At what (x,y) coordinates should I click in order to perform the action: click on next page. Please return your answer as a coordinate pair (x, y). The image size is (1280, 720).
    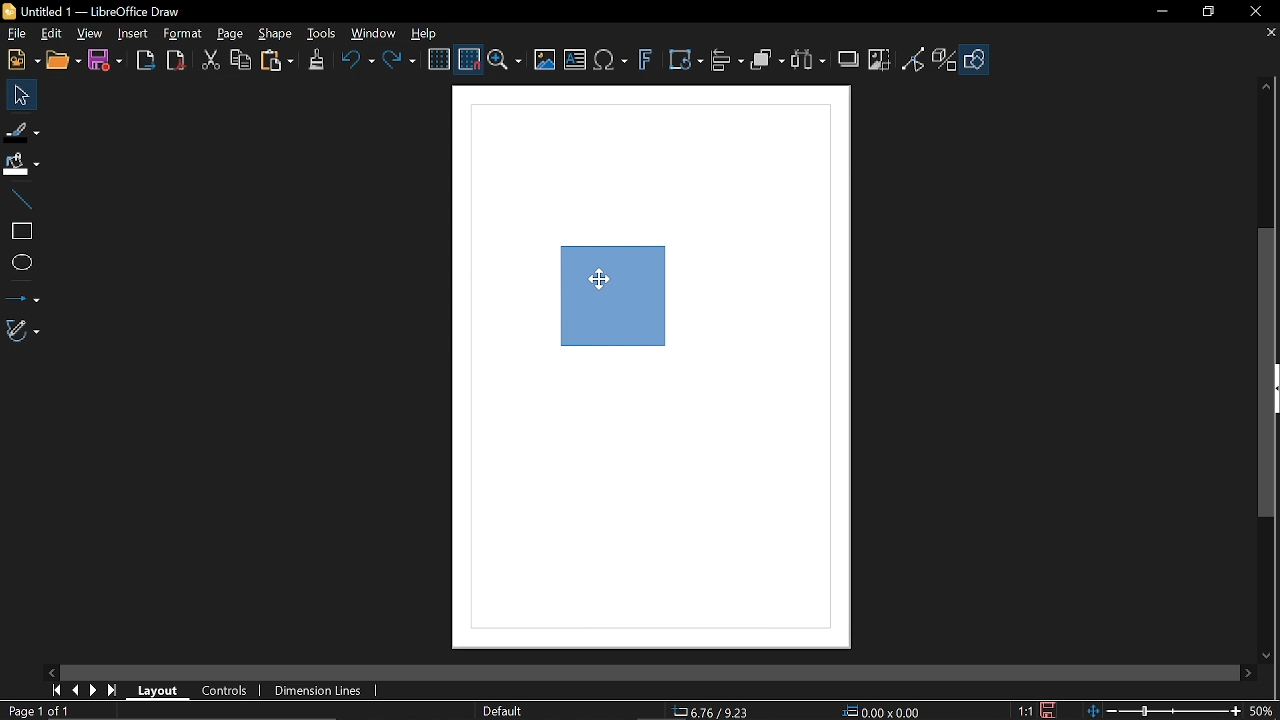
    Looking at the image, I should click on (93, 689).